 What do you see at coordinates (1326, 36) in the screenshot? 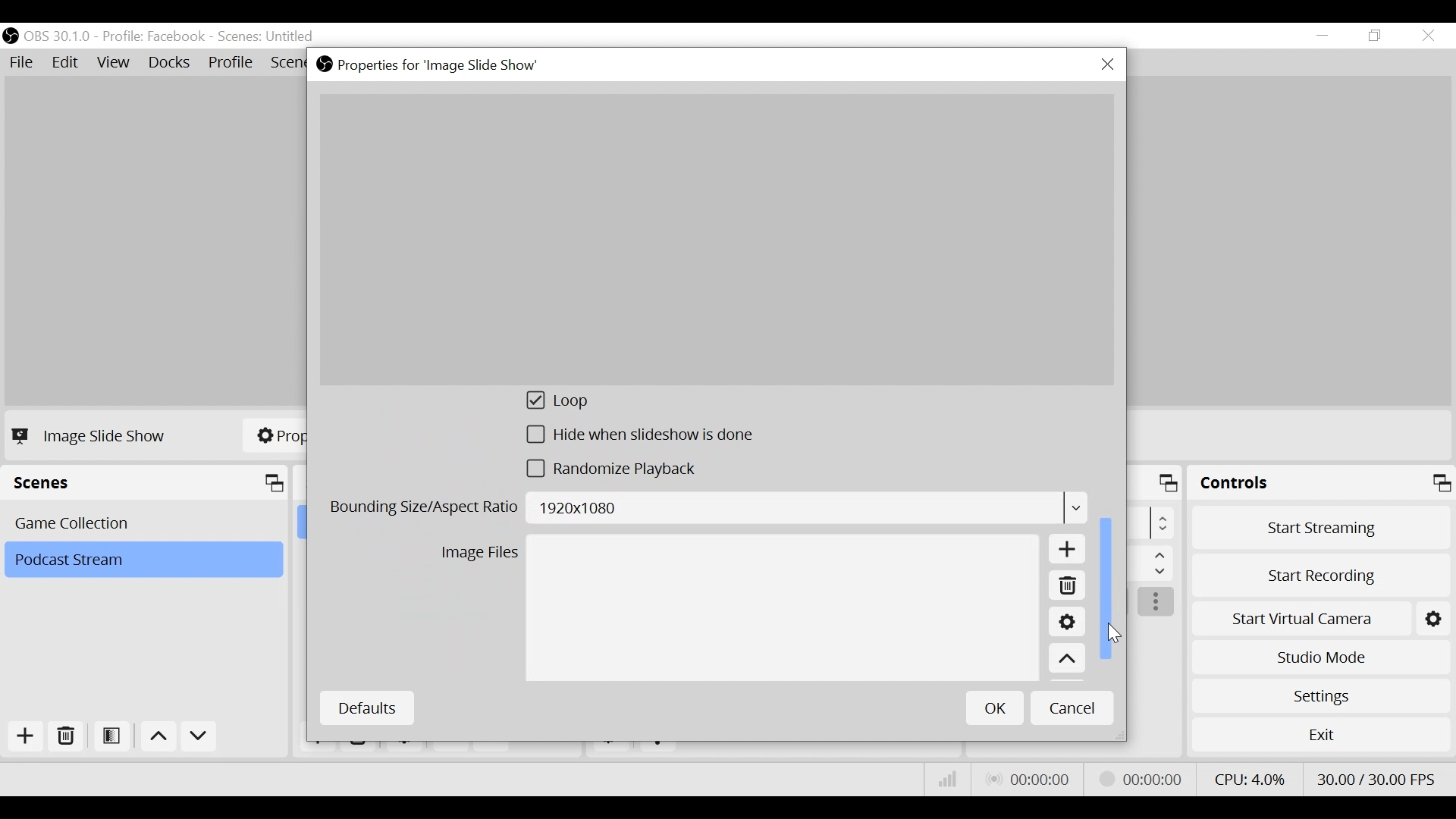
I see `minimize` at bounding box center [1326, 36].